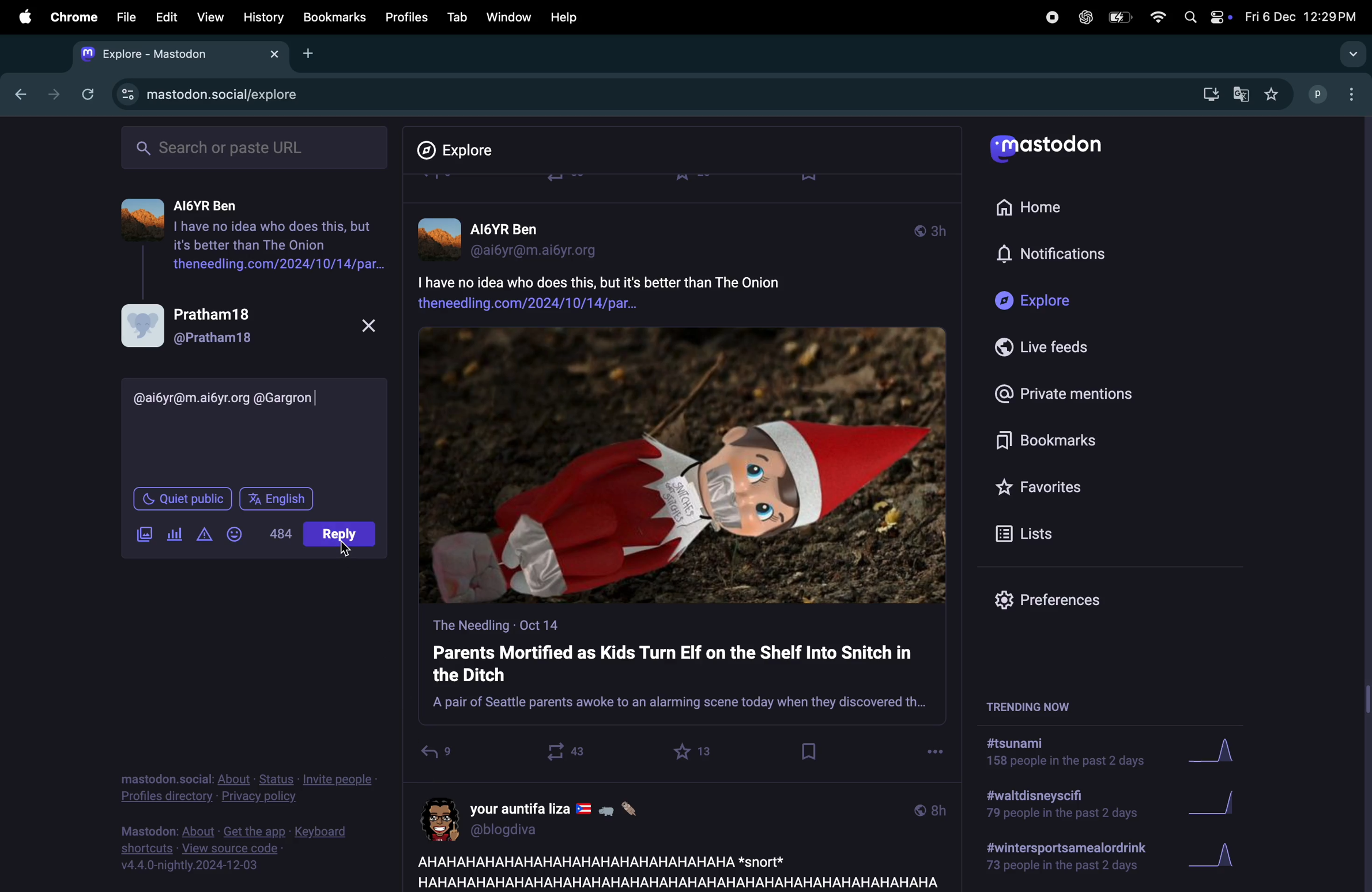 The width and height of the screenshot is (1372, 892). Describe the element at coordinates (206, 535) in the screenshot. I see `add alert` at that location.